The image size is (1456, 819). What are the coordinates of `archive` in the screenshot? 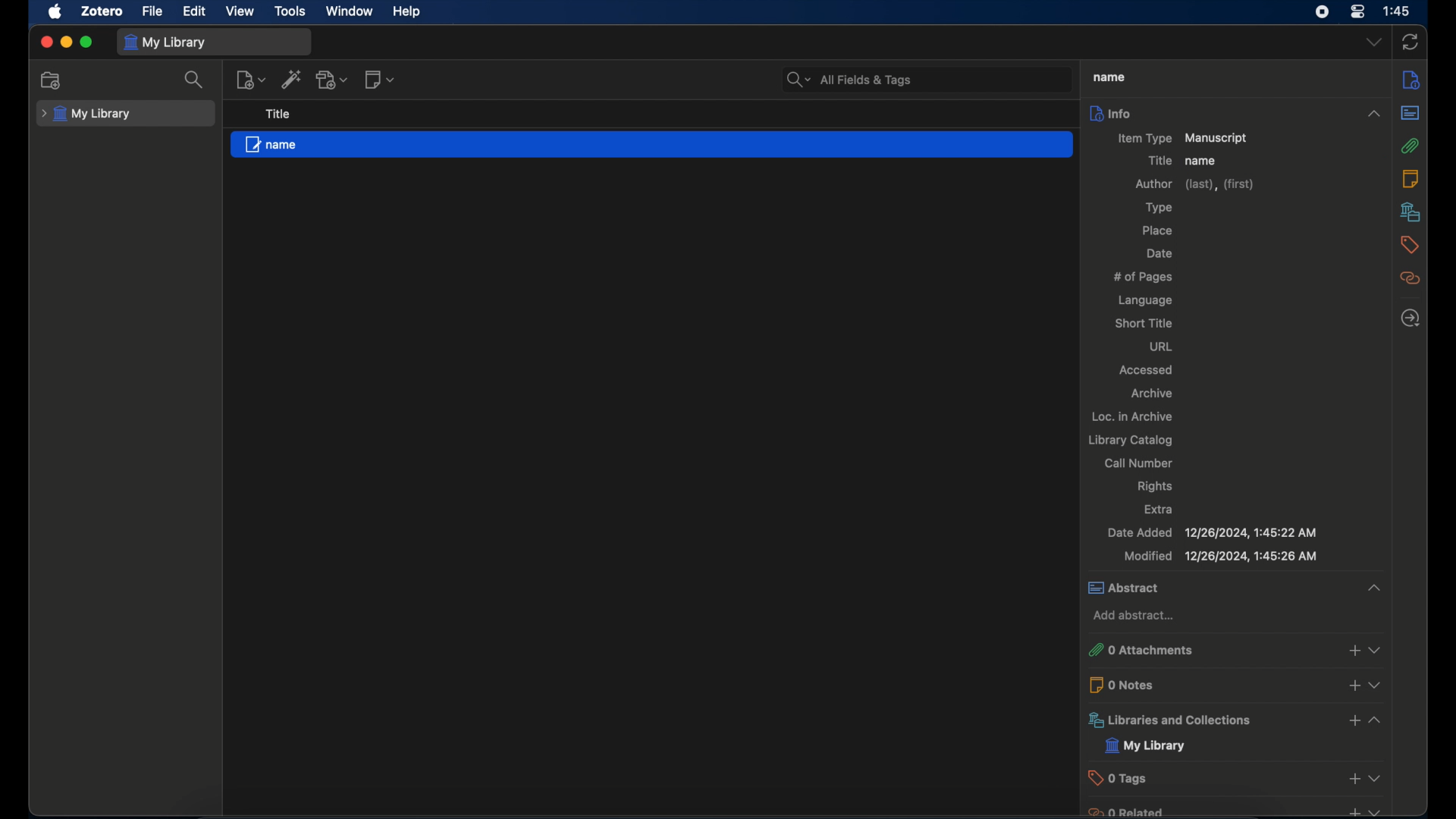 It's located at (1150, 393).